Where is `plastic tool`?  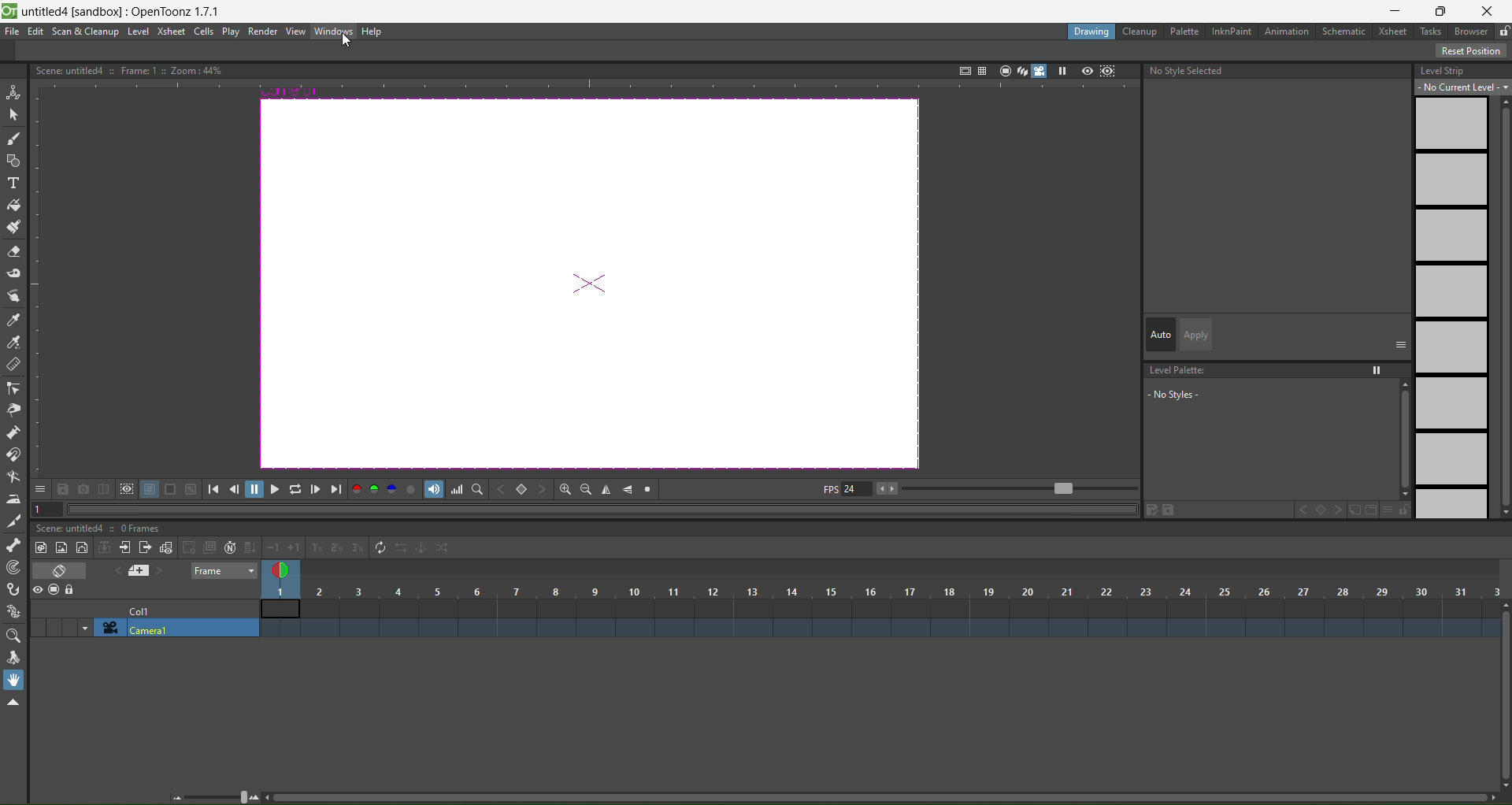
plastic tool is located at coordinates (14, 607).